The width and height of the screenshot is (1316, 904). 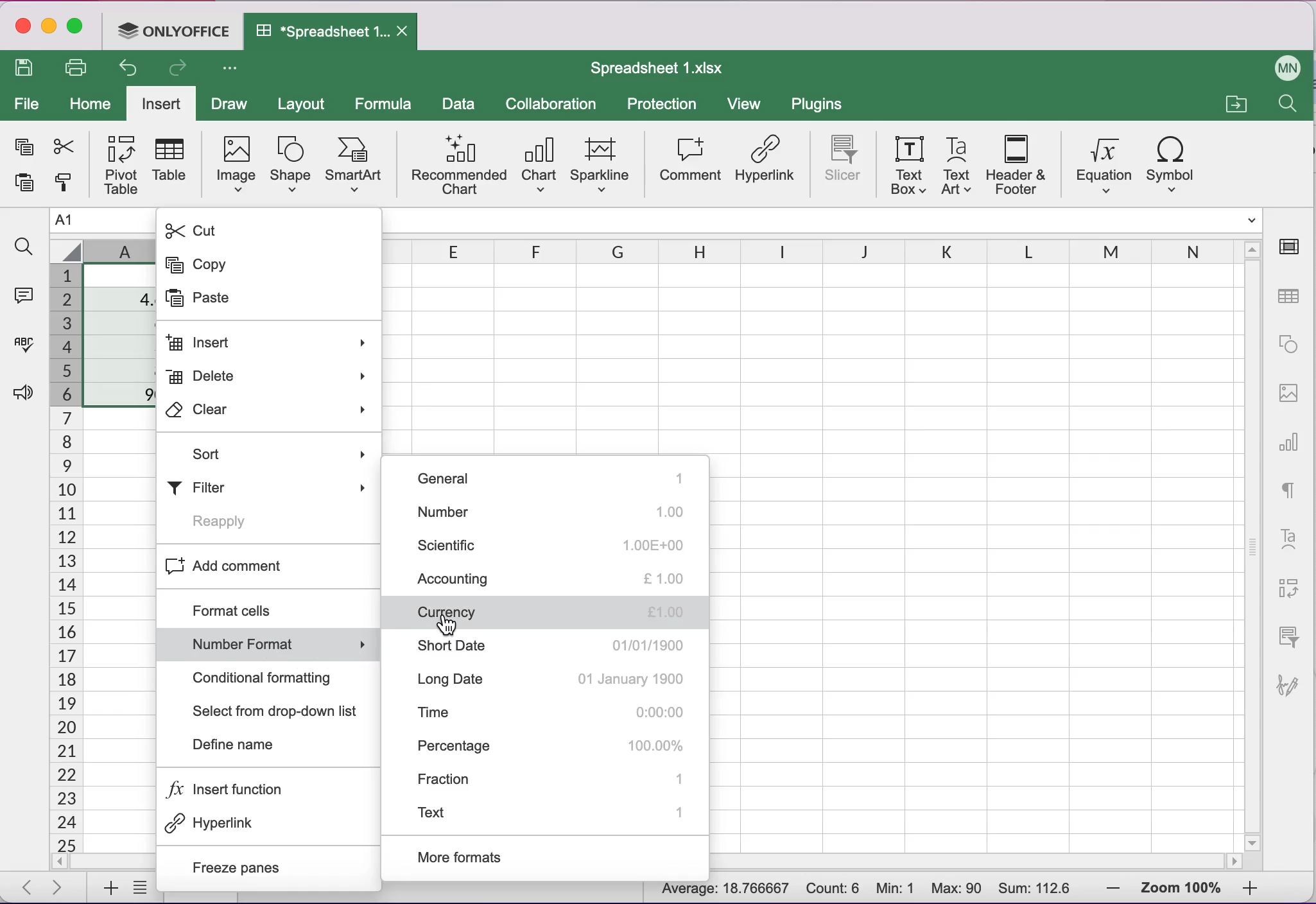 What do you see at coordinates (289, 168) in the screenshot?
I see `shape` at bounding box center [289, 168].